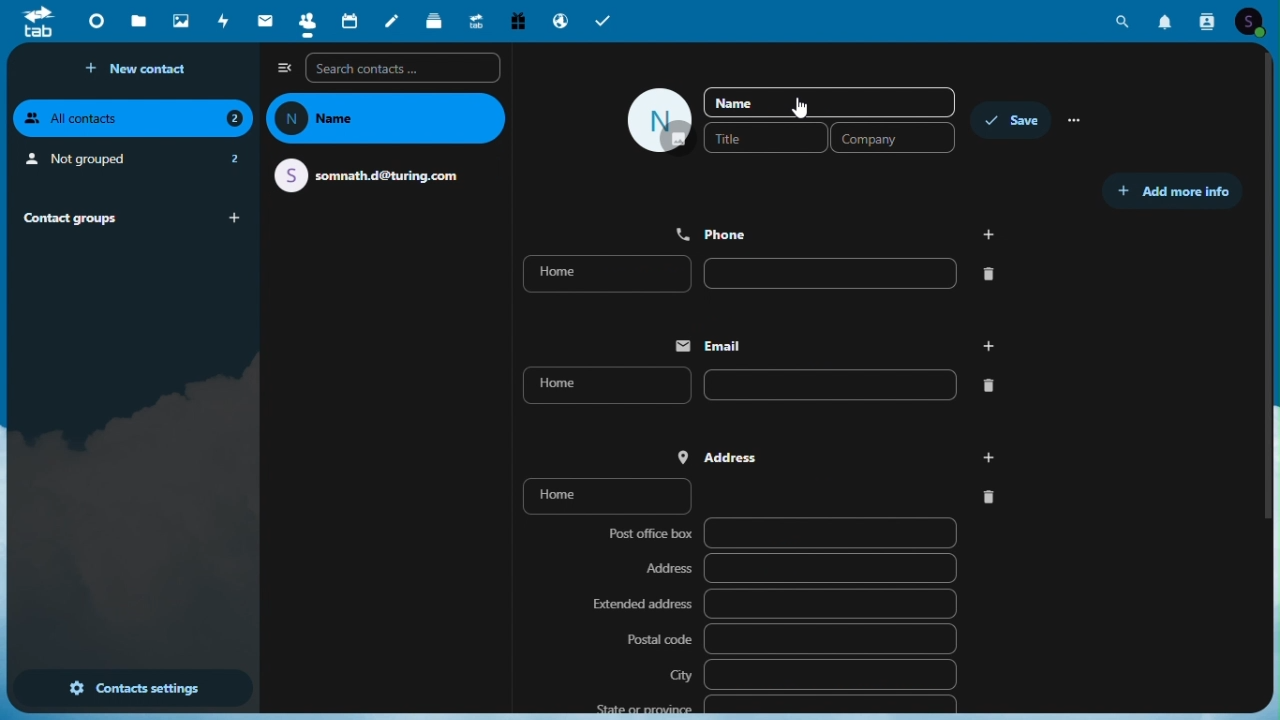  I want to click on Not grouped, so click(131, 161).